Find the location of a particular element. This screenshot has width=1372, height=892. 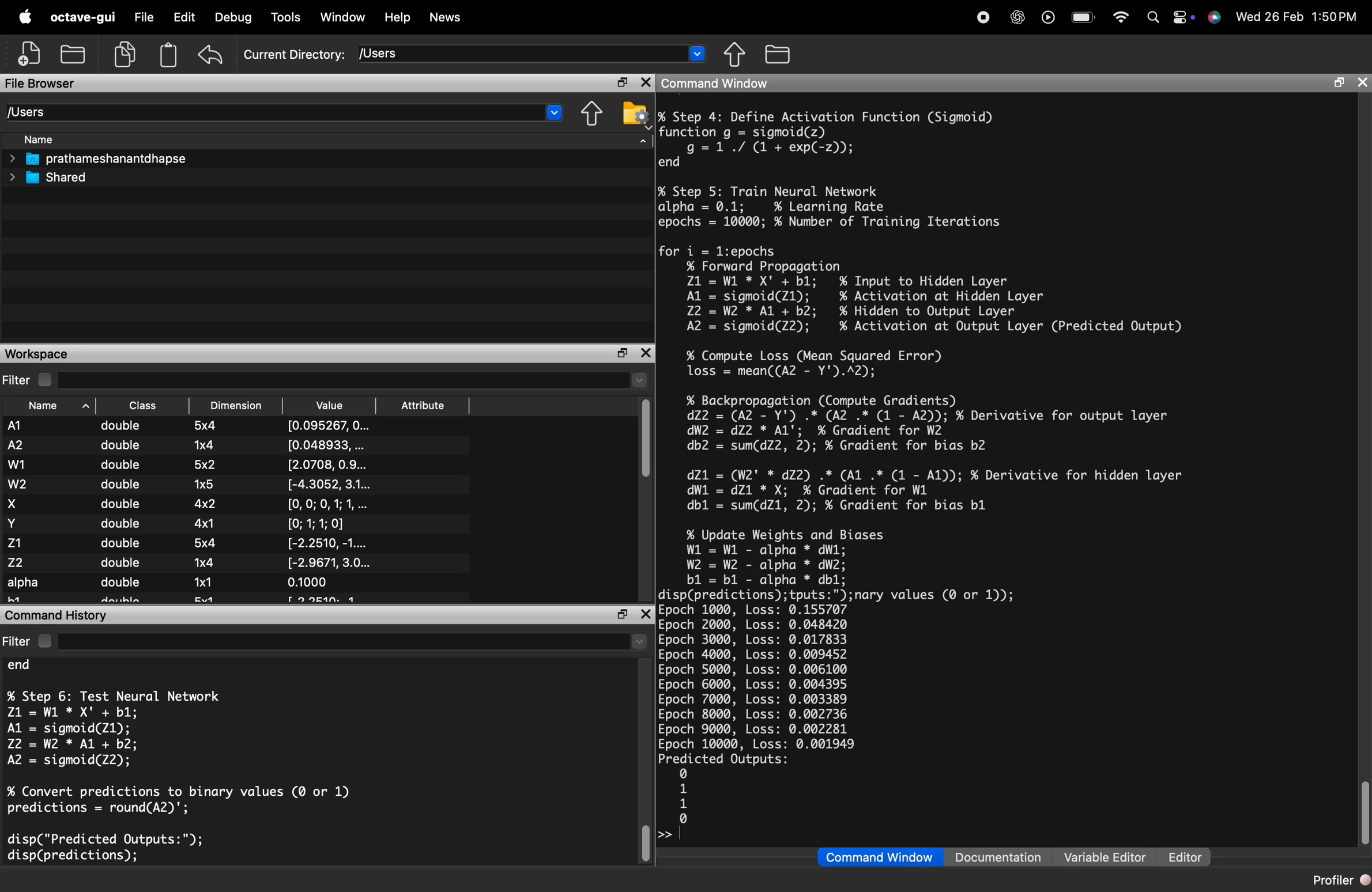

% Step 6: Test Neural Network

Z1 = W1 * X' + bl;

Al = sigmoid(Z1);

72 = W2 * Al + b2;

A2 = sigmoid(Z2);

% Convert predictions to binary values (@ or 1)
predictions = round(A2)';

disp("Predicted Outputs:");

disp(predictions); is located at coordinates (179, 776).